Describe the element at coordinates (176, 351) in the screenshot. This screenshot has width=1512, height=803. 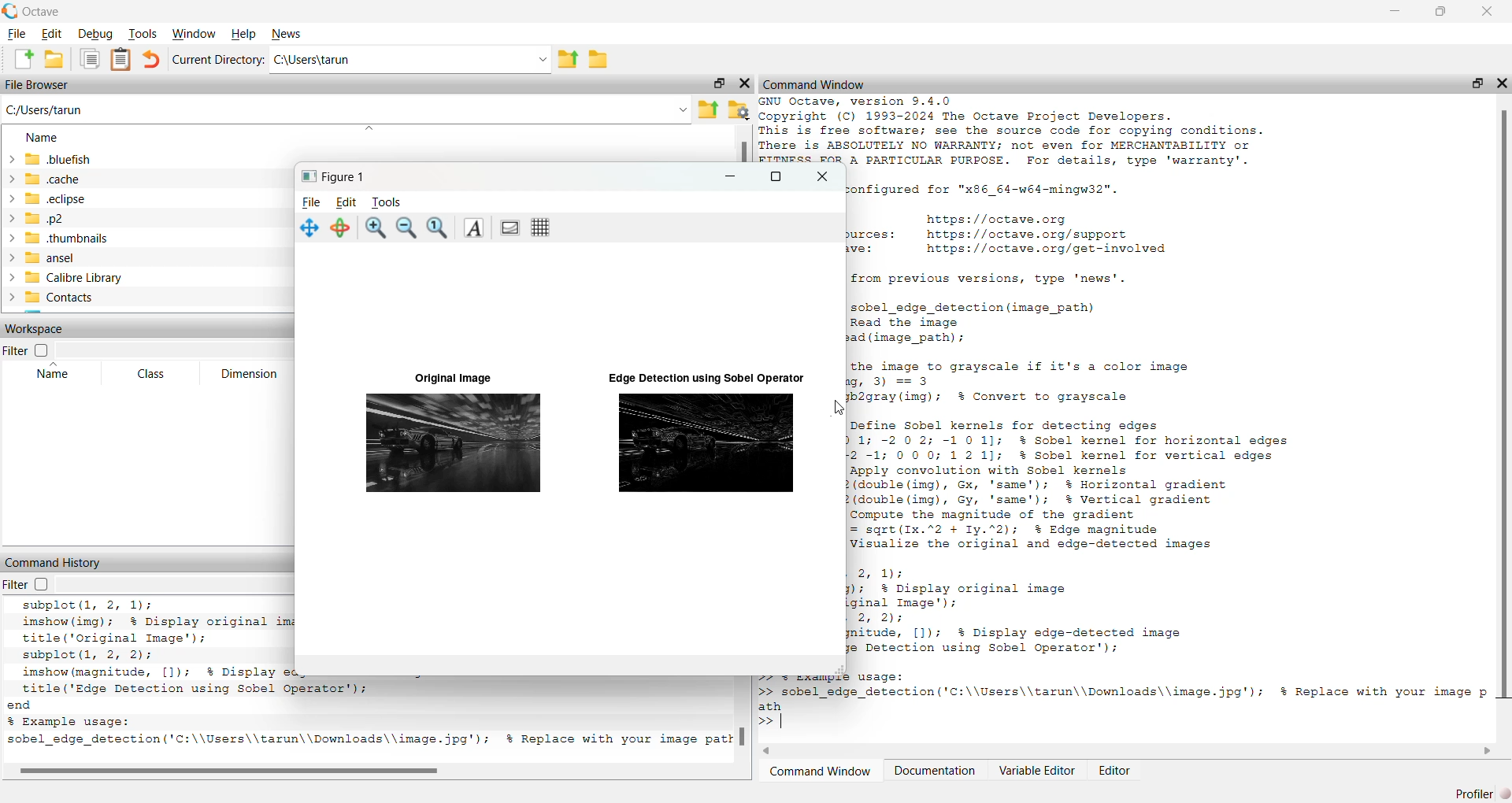
I see `dropdown` at that location.